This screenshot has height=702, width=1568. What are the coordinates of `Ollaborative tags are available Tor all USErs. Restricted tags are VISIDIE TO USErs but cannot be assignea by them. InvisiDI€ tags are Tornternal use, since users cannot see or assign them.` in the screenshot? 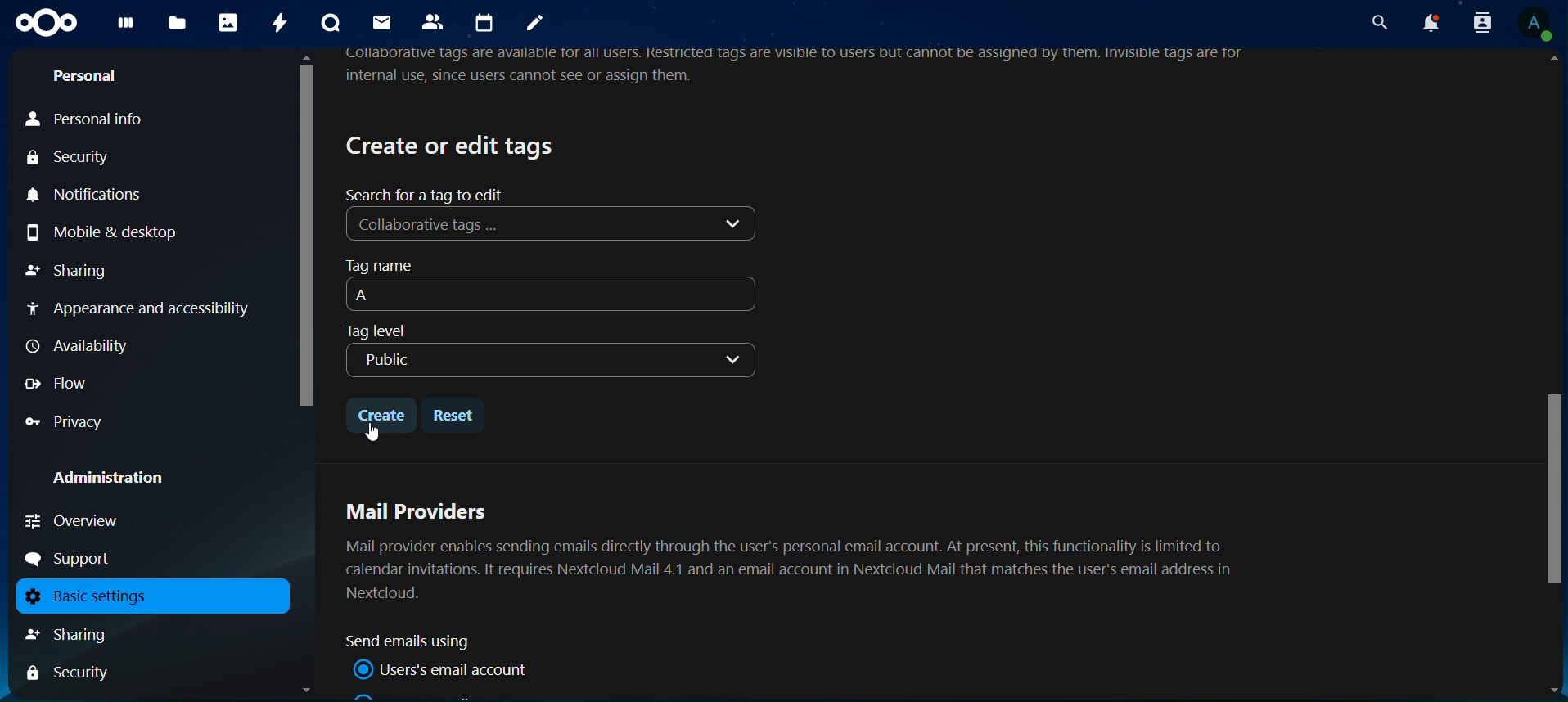 It's located at (802, 68).